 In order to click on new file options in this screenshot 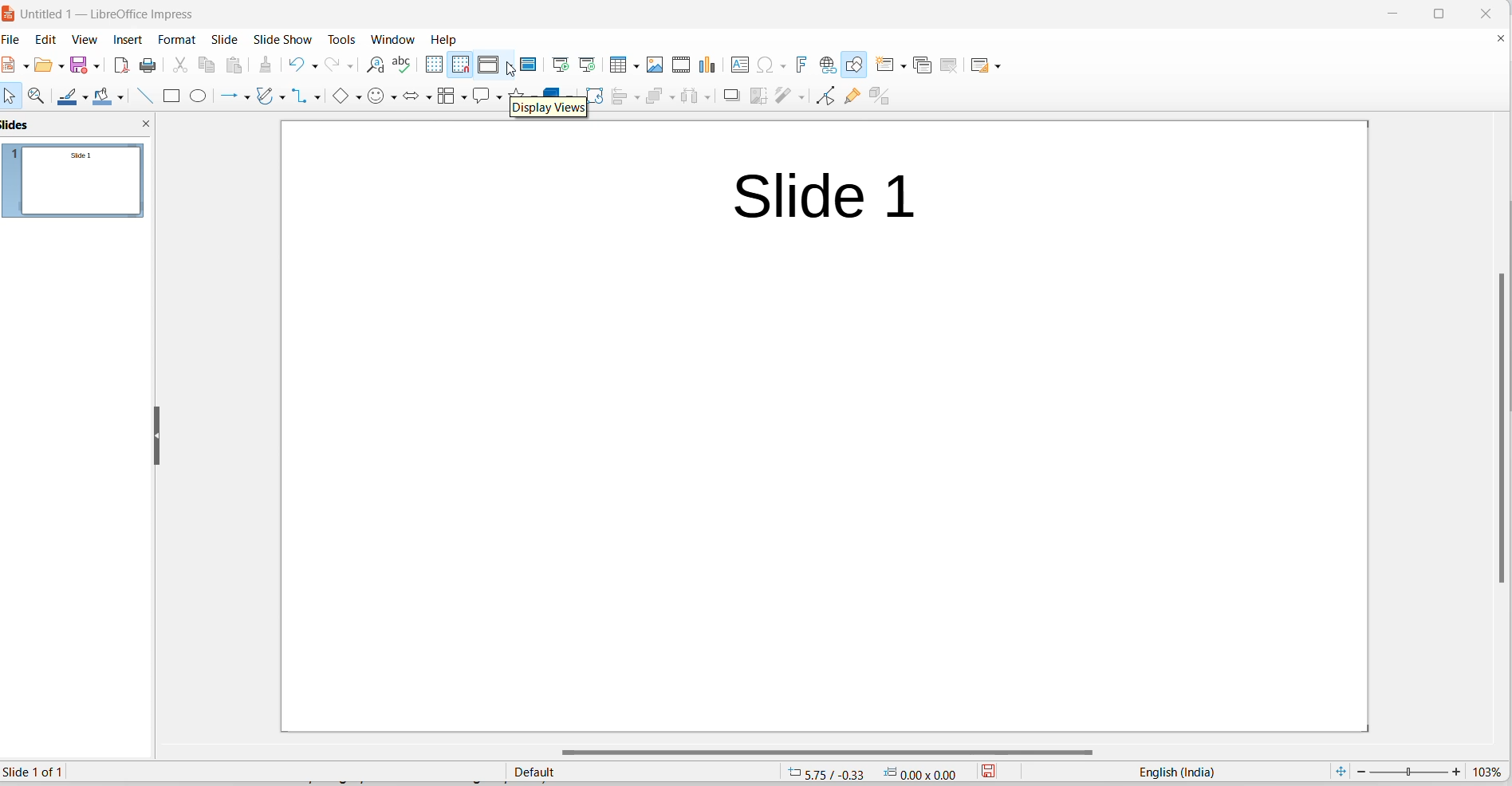, I will do `click(25, 69)`.